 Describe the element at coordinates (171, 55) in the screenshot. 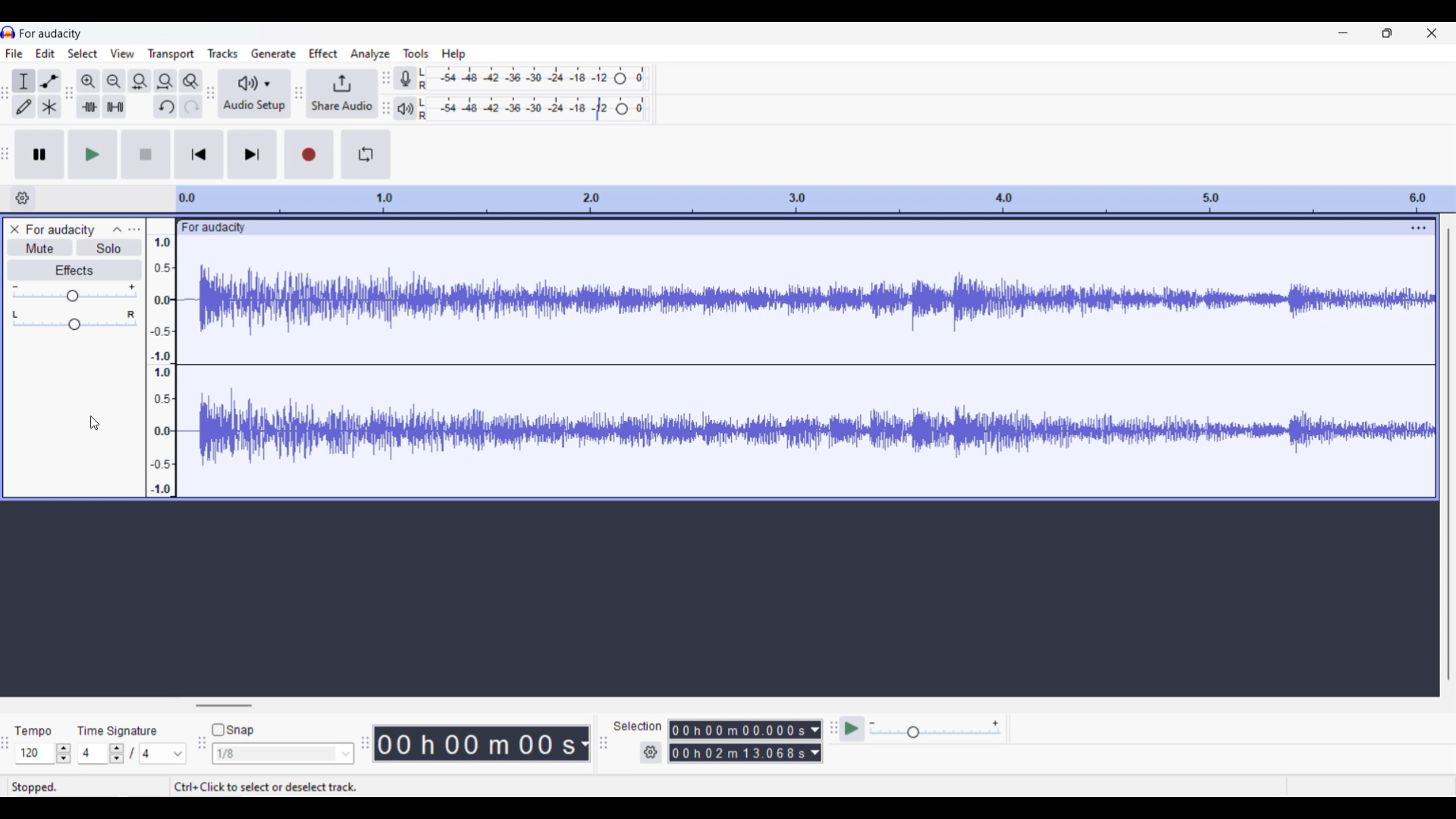

I see `Transport` at that location.